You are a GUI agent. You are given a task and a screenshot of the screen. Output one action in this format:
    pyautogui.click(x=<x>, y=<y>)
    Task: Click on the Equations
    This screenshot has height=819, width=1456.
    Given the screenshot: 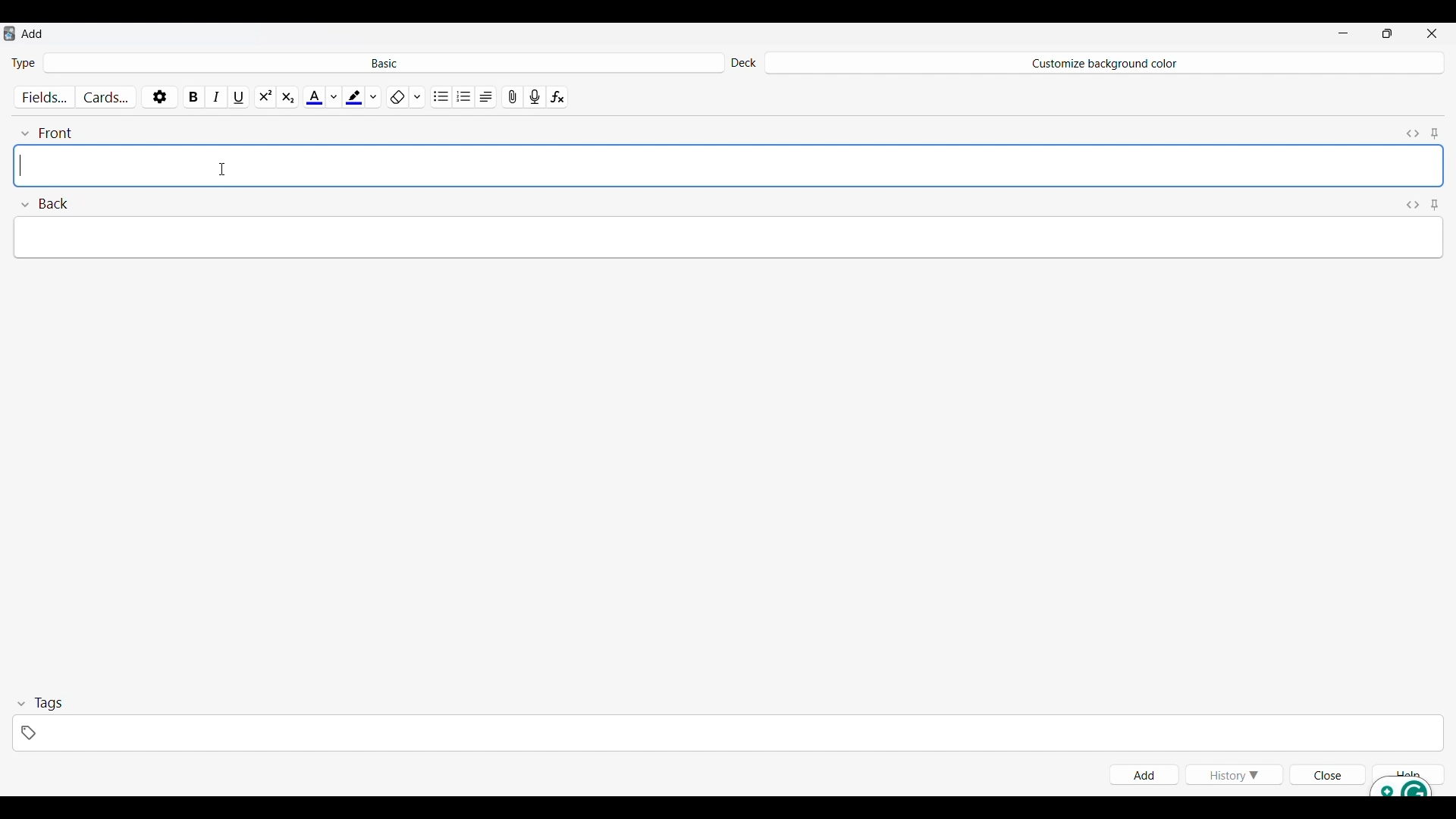 What is the action you would take?
    pyautogui.click(x=557, y=95)
    